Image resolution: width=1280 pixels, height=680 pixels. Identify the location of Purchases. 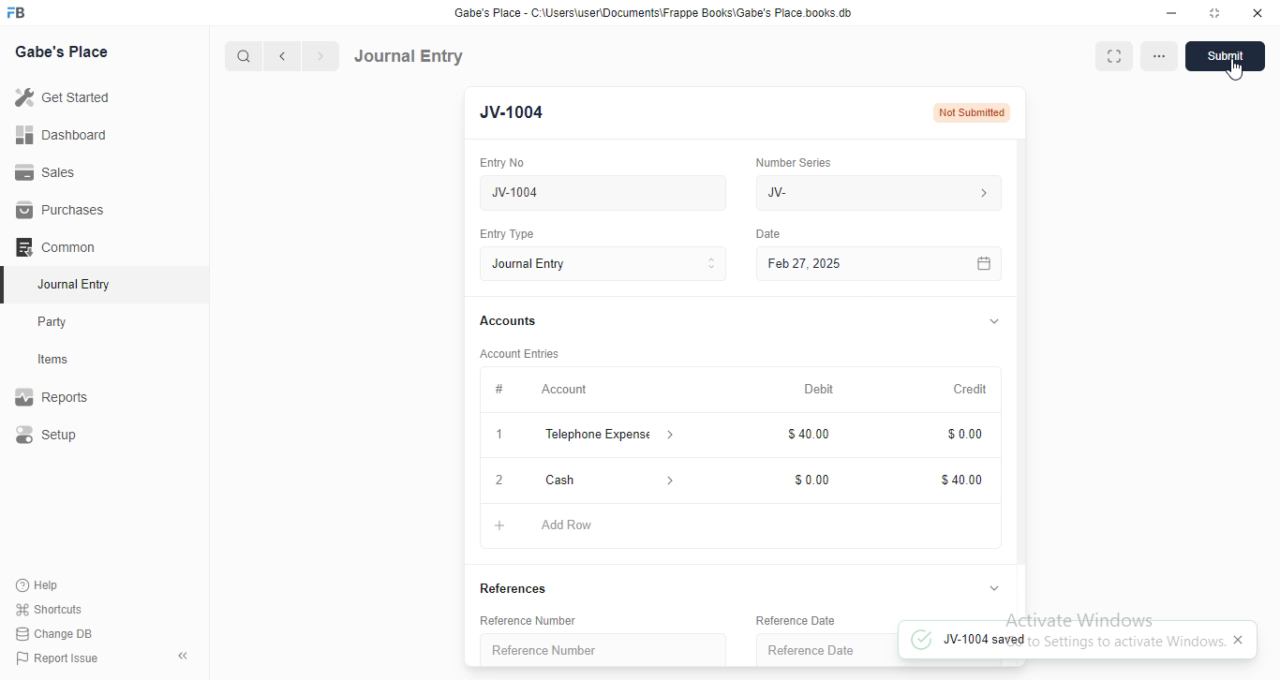
(56, 208).